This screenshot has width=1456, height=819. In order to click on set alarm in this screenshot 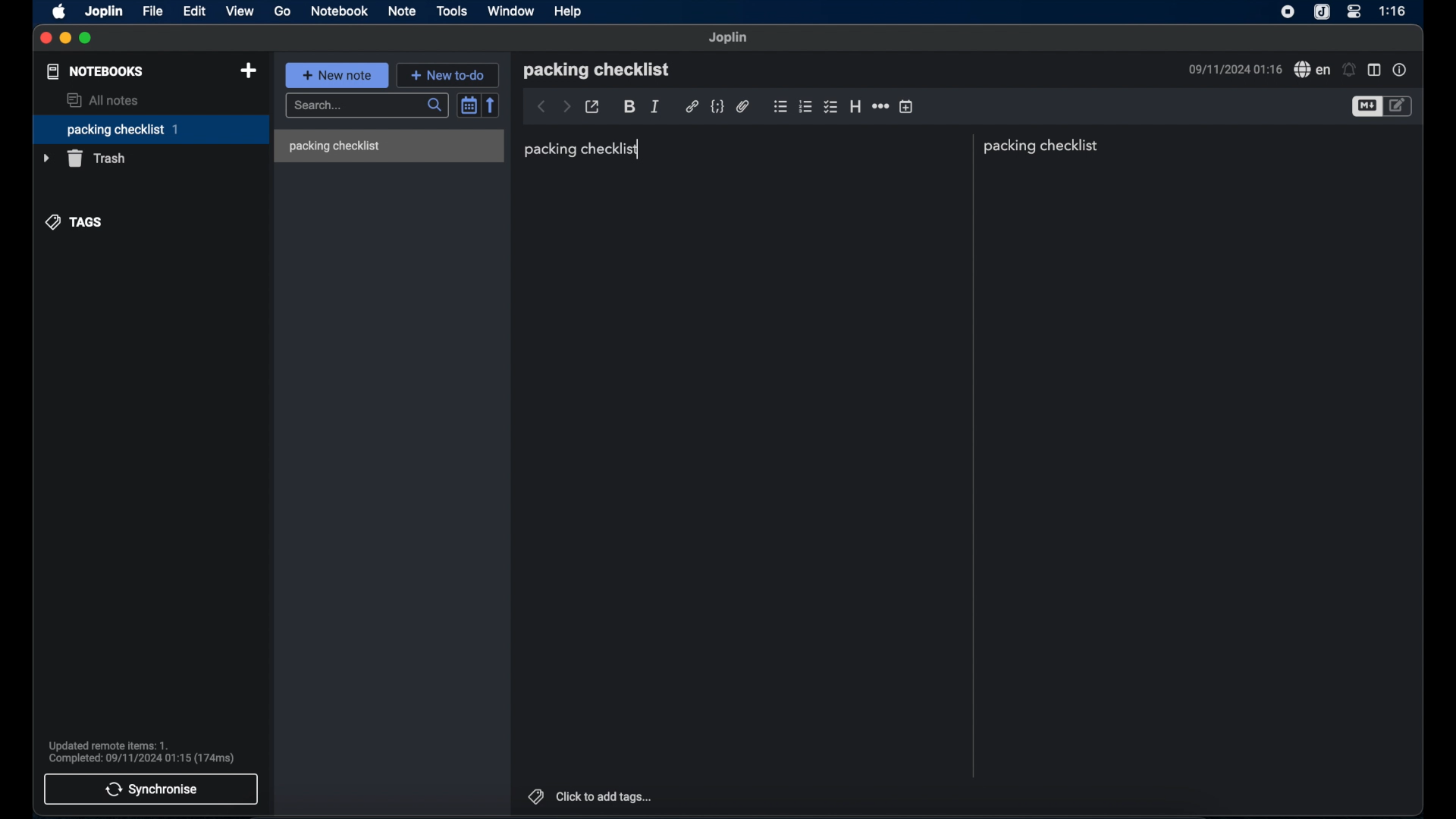, I will do `click(1349, 69)`.